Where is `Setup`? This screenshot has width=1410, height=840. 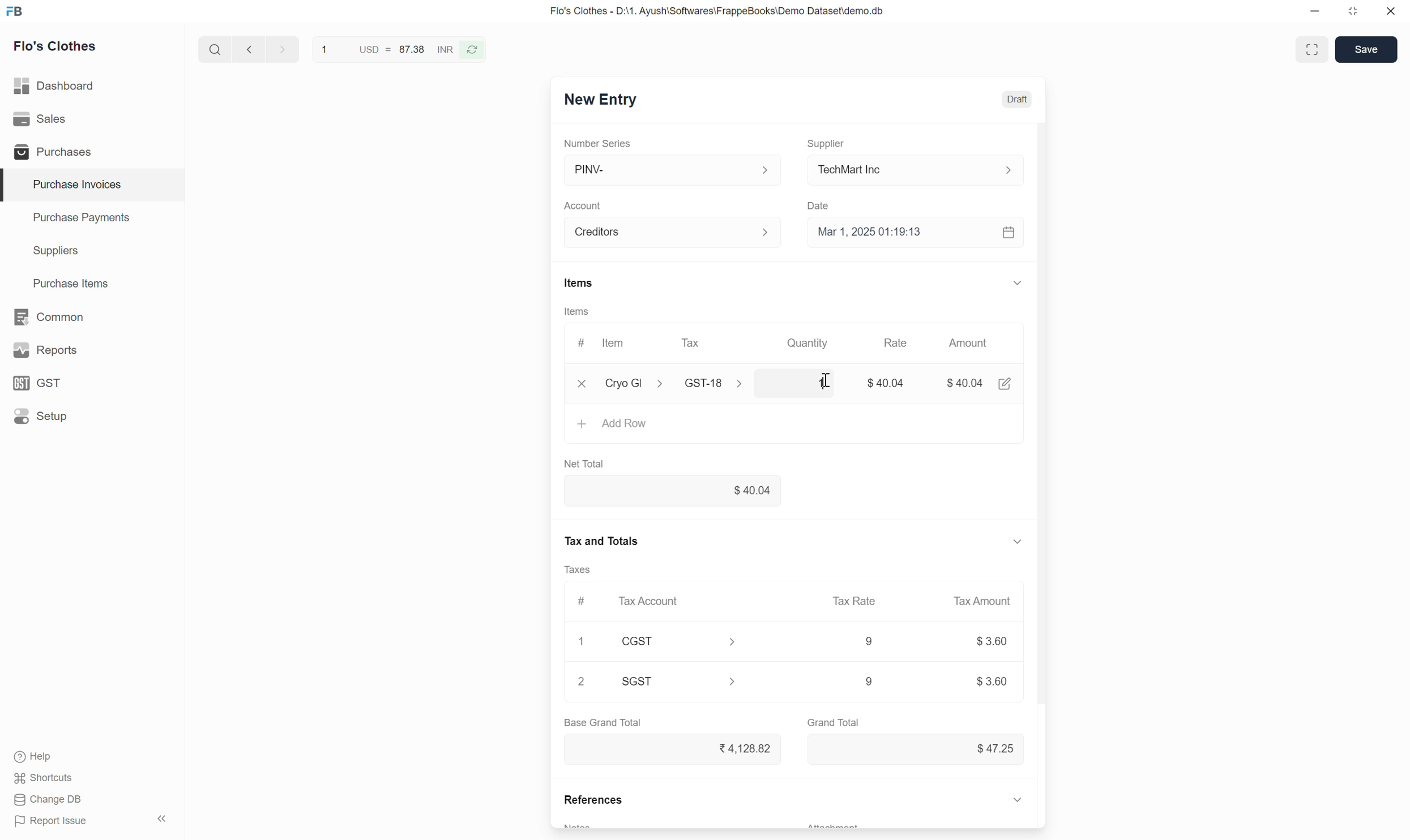 Setup is located at coordinates (43, 416).